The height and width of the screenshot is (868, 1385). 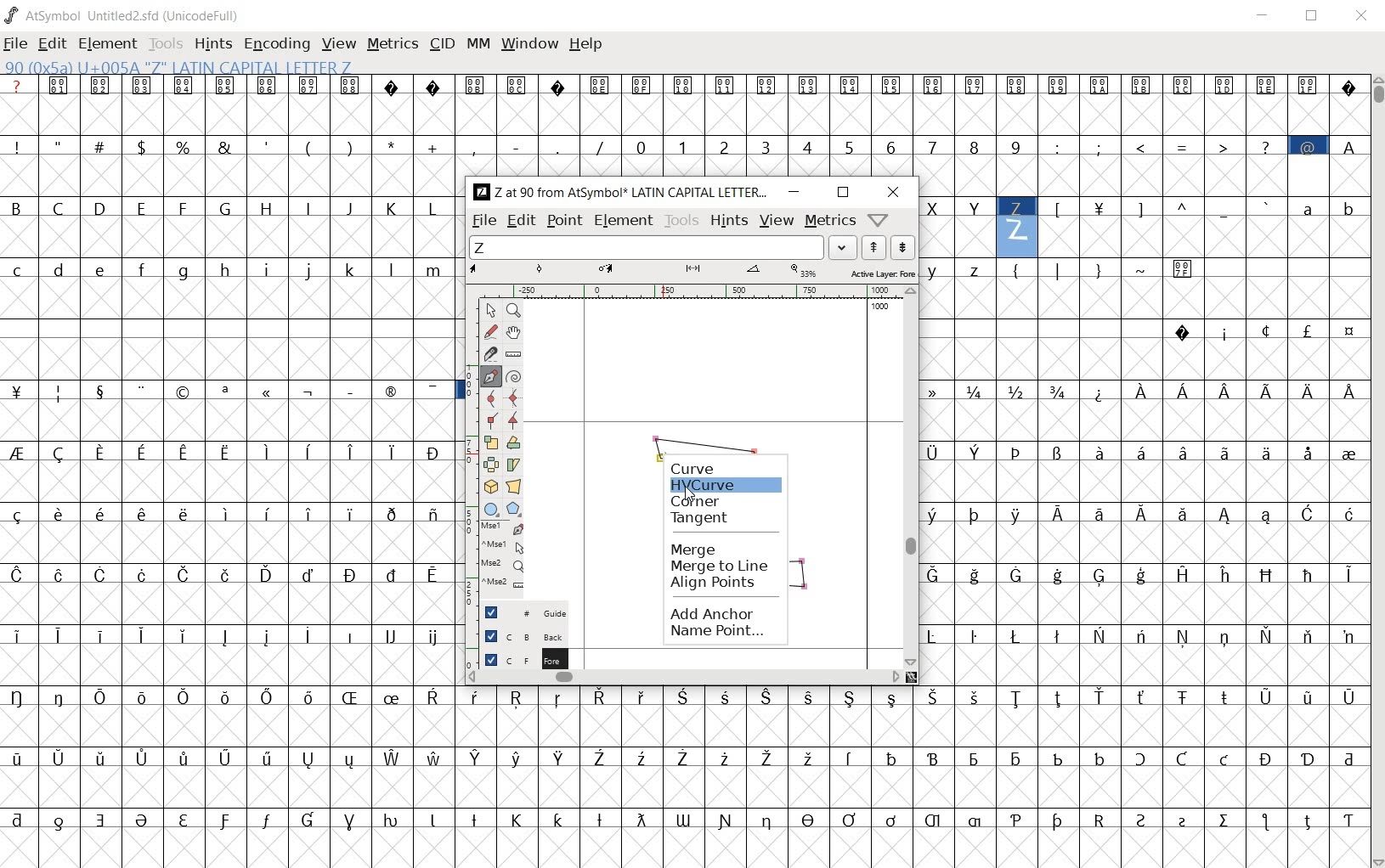 What do you see at coordinates (1266, 18) in the screenshot?
I see `minimize` at bounding box center [1266, 18].